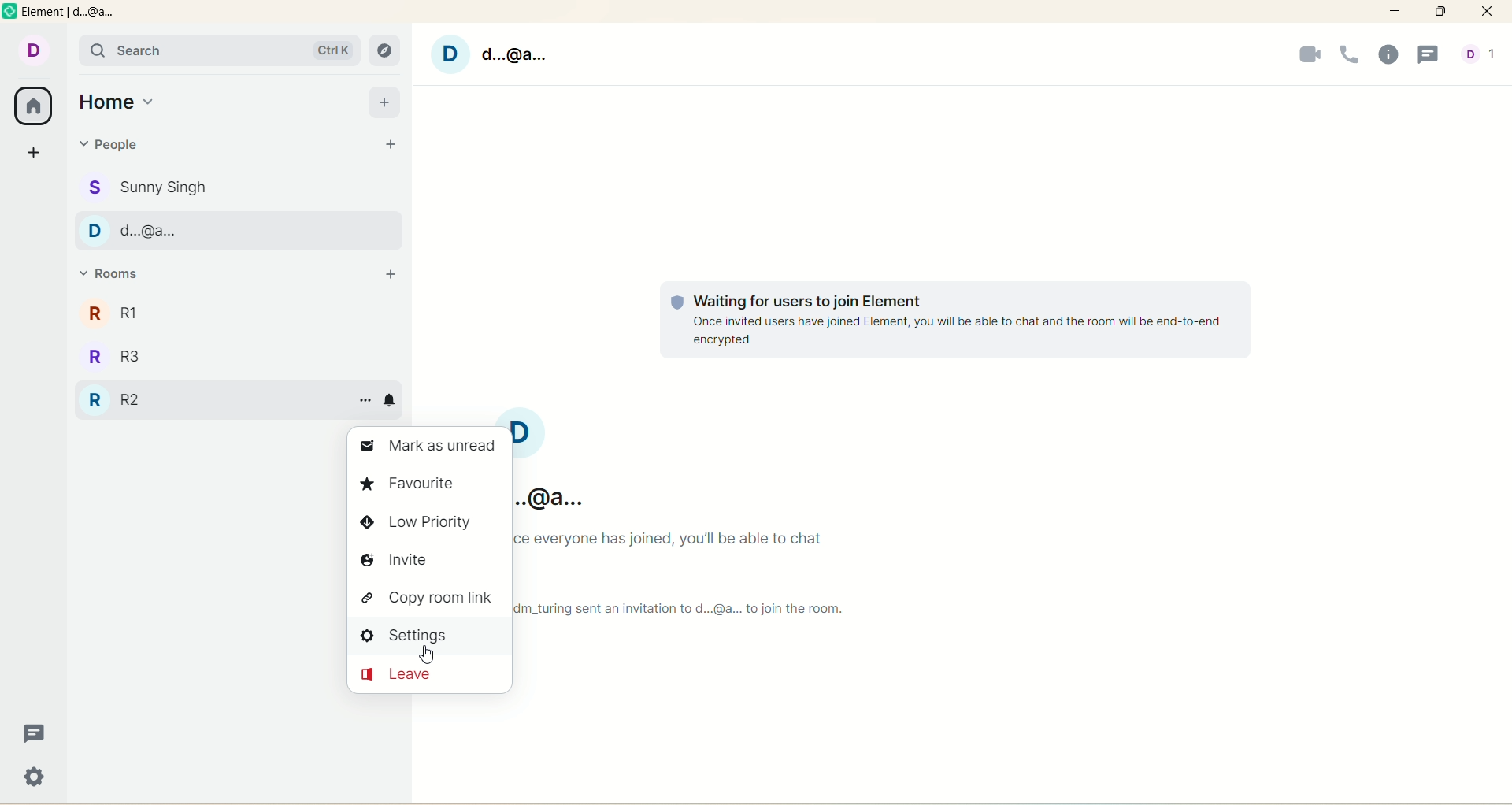  What do you see at coordinates (384, 51) in the screenshot?
I see `explore rooms` at bounding box center [384, 51].